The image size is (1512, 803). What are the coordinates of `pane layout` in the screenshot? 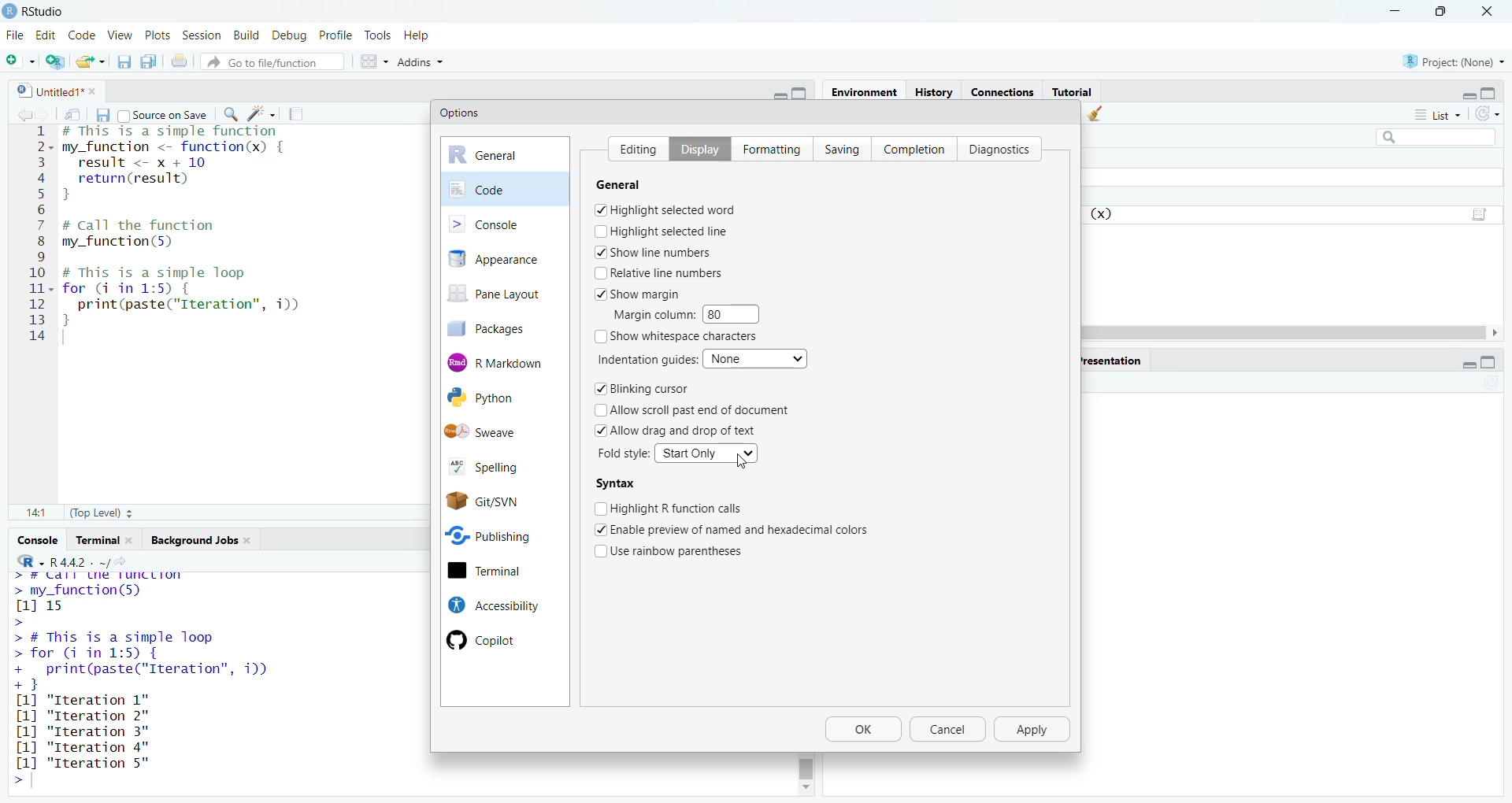 It's located at (499, 295).